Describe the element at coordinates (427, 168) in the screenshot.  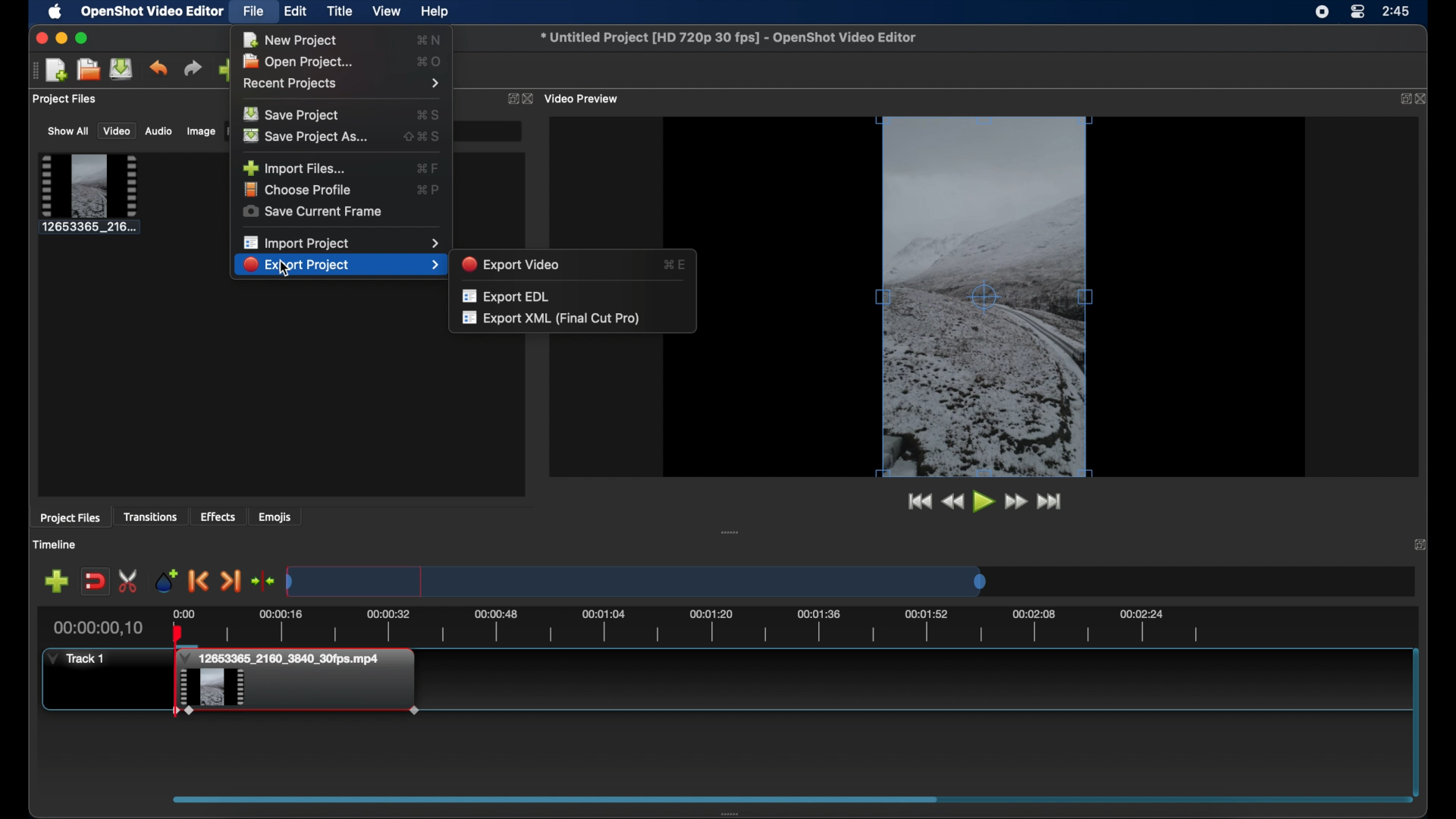
I see `import files shortcut` at that location.